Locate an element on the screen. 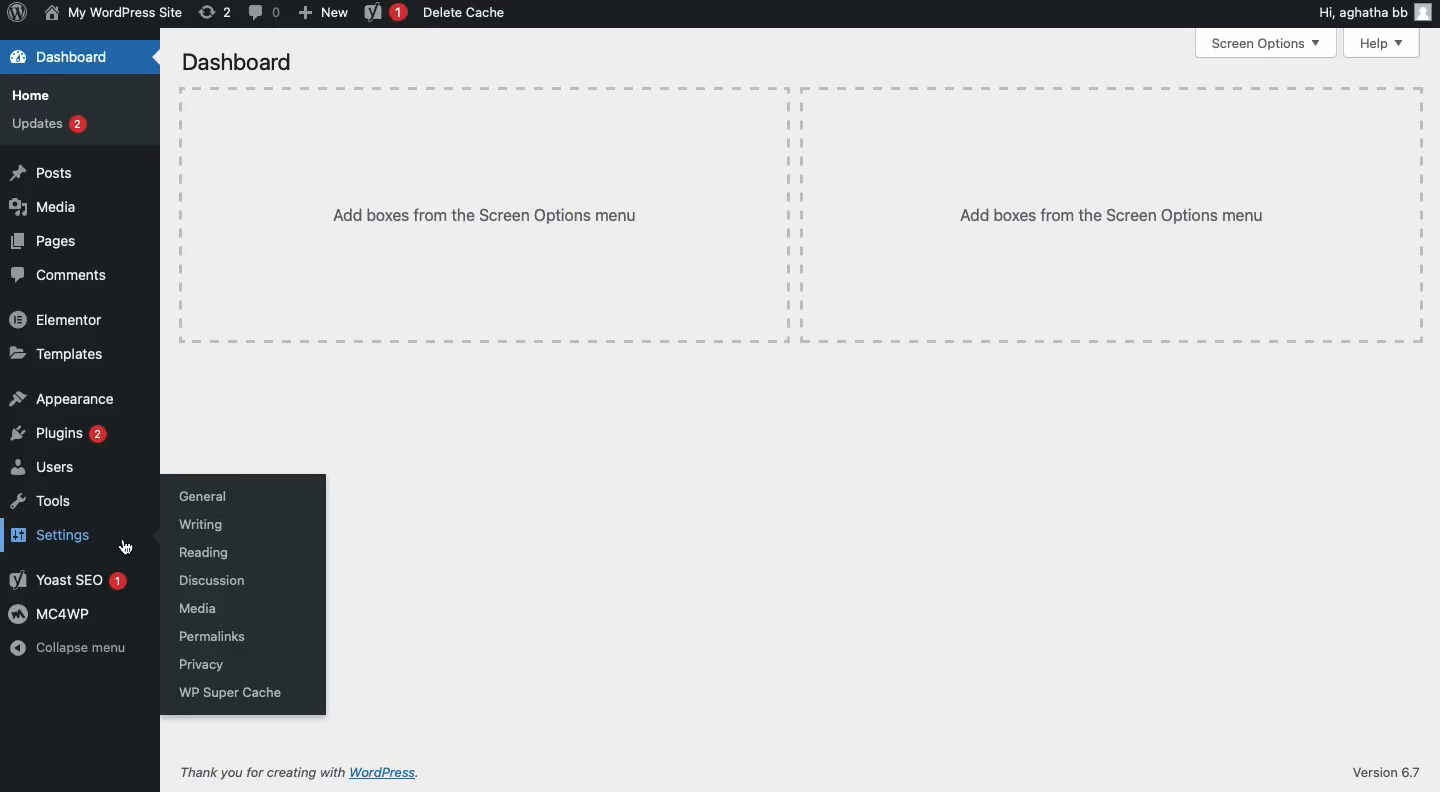  Templates is located at coordinates (58, 354).